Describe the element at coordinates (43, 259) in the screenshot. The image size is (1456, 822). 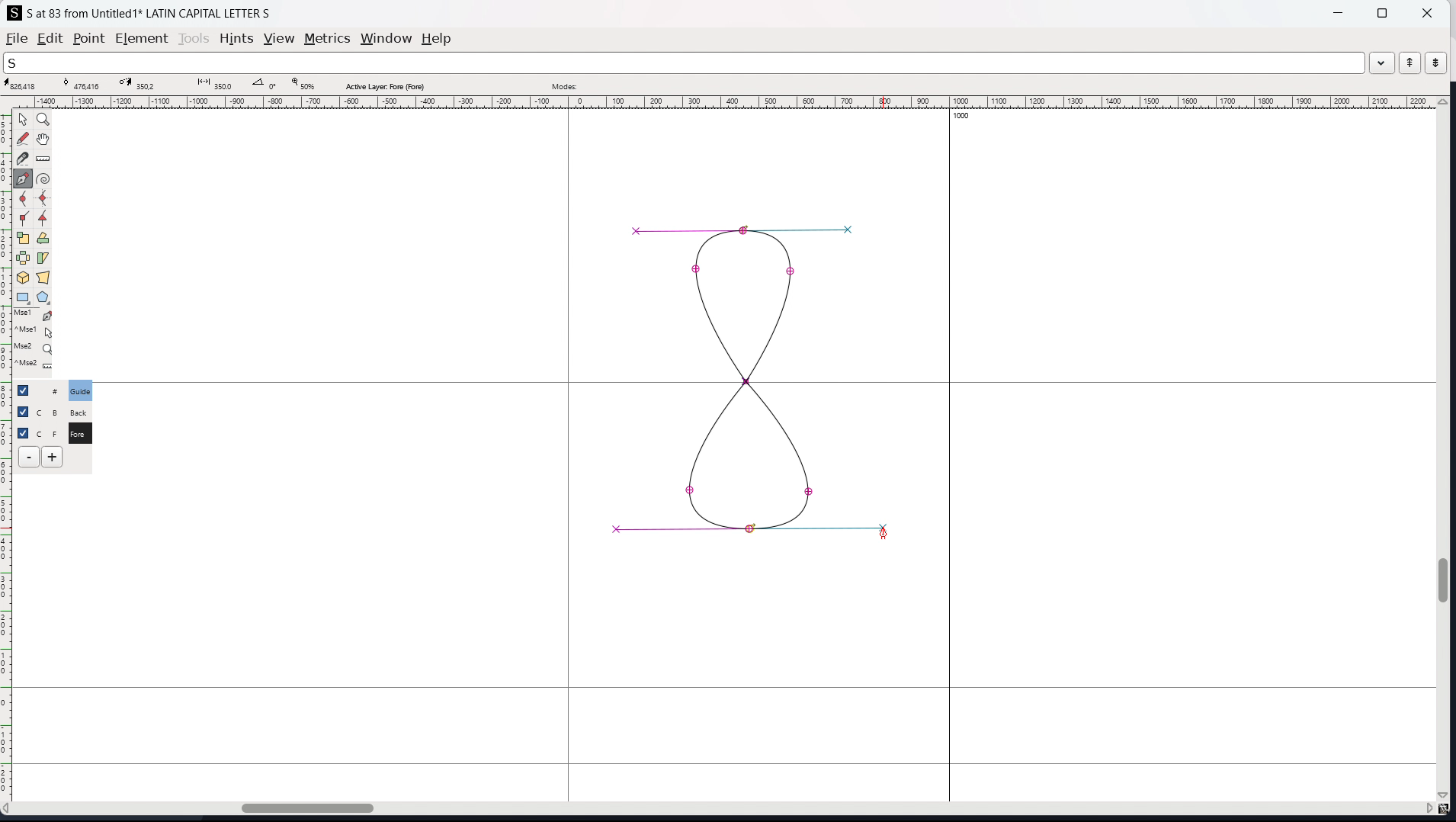
I see `skew selection` at that location.